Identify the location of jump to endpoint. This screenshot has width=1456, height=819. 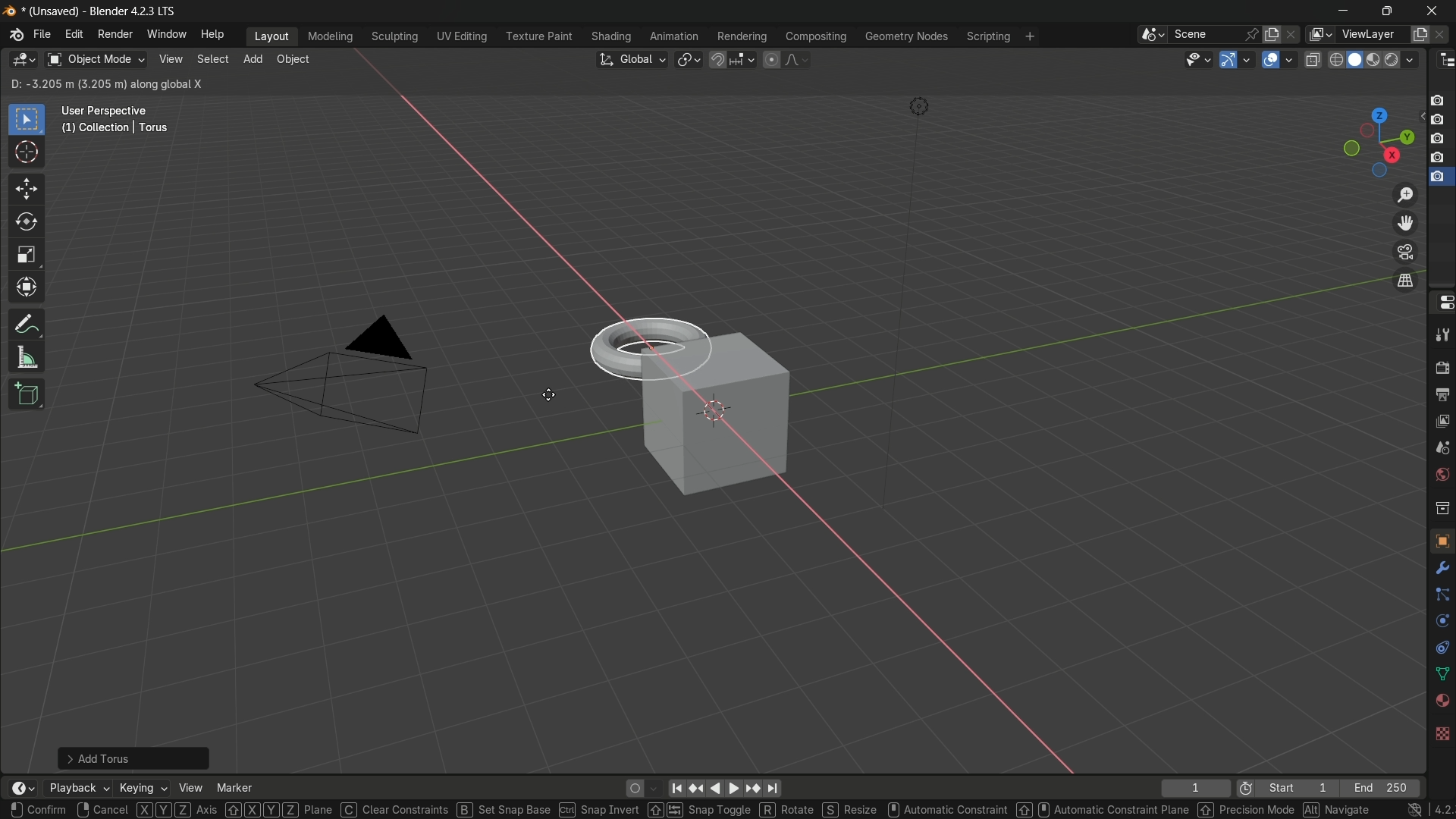
(774, 789).